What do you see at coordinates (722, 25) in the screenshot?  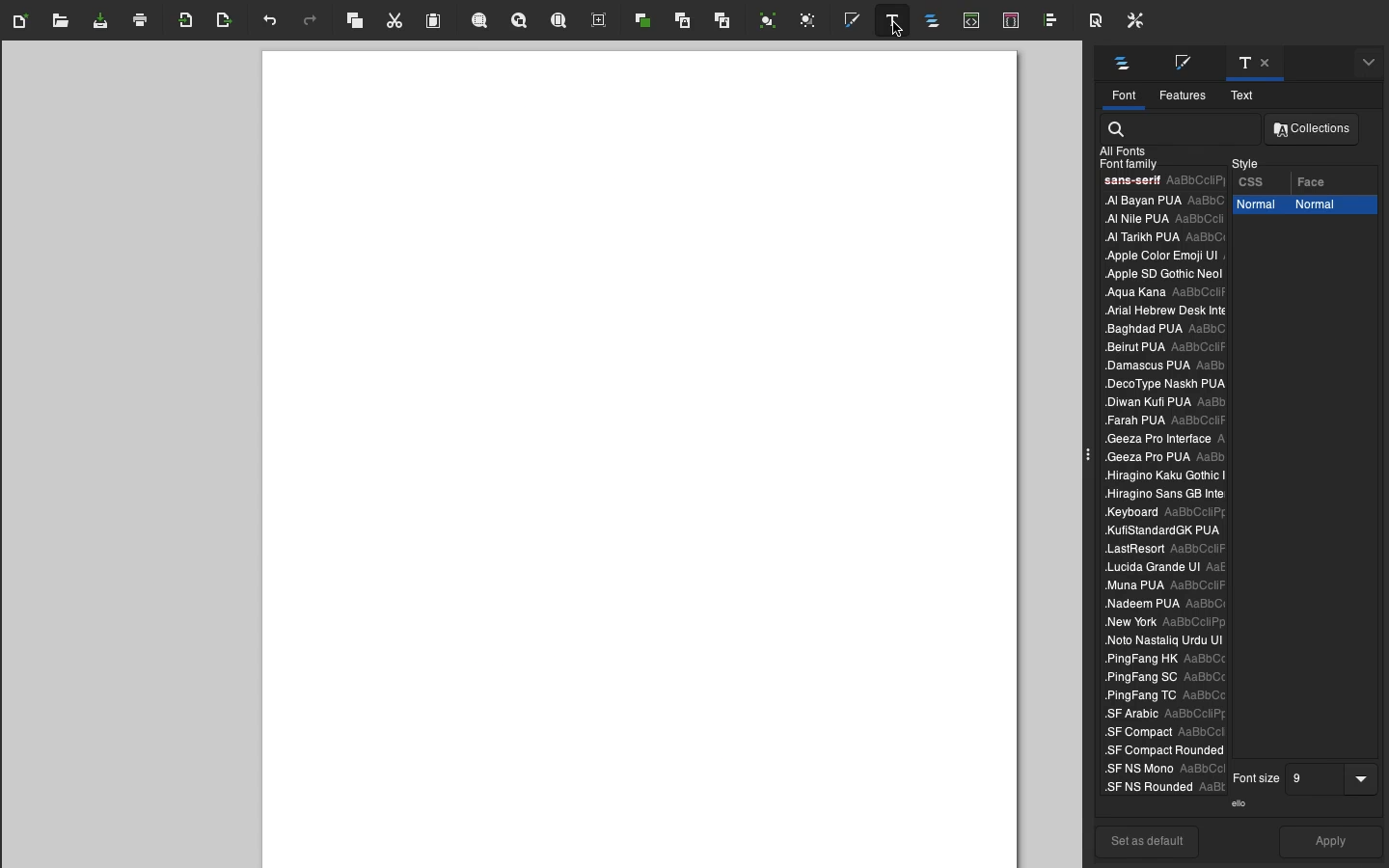 I see `Unlink clone` at bounding box center [722, 25].